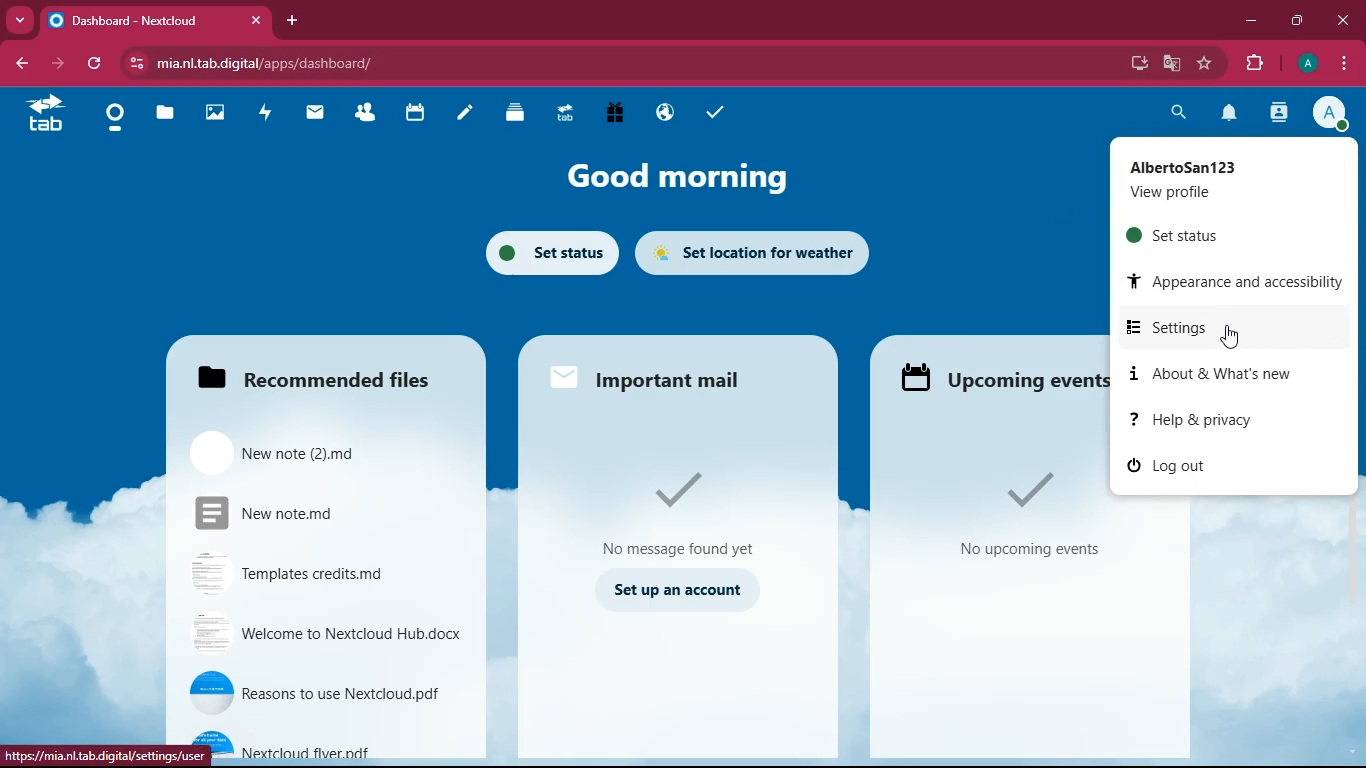  Describe the element at coordinates (767, 253) in the screenshot. I see `set location` at that location.